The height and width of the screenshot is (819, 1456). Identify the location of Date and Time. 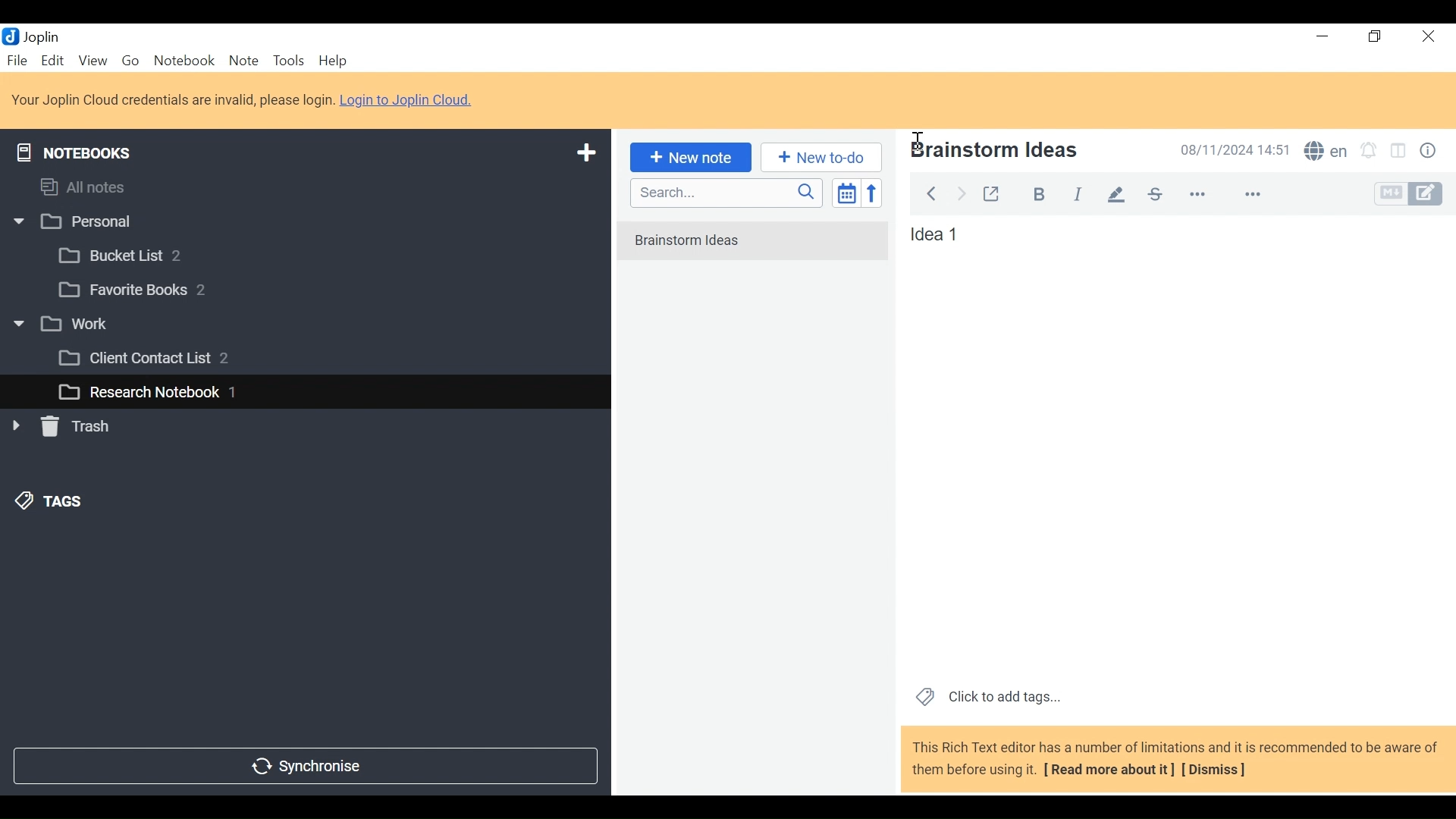
(1231, 149).